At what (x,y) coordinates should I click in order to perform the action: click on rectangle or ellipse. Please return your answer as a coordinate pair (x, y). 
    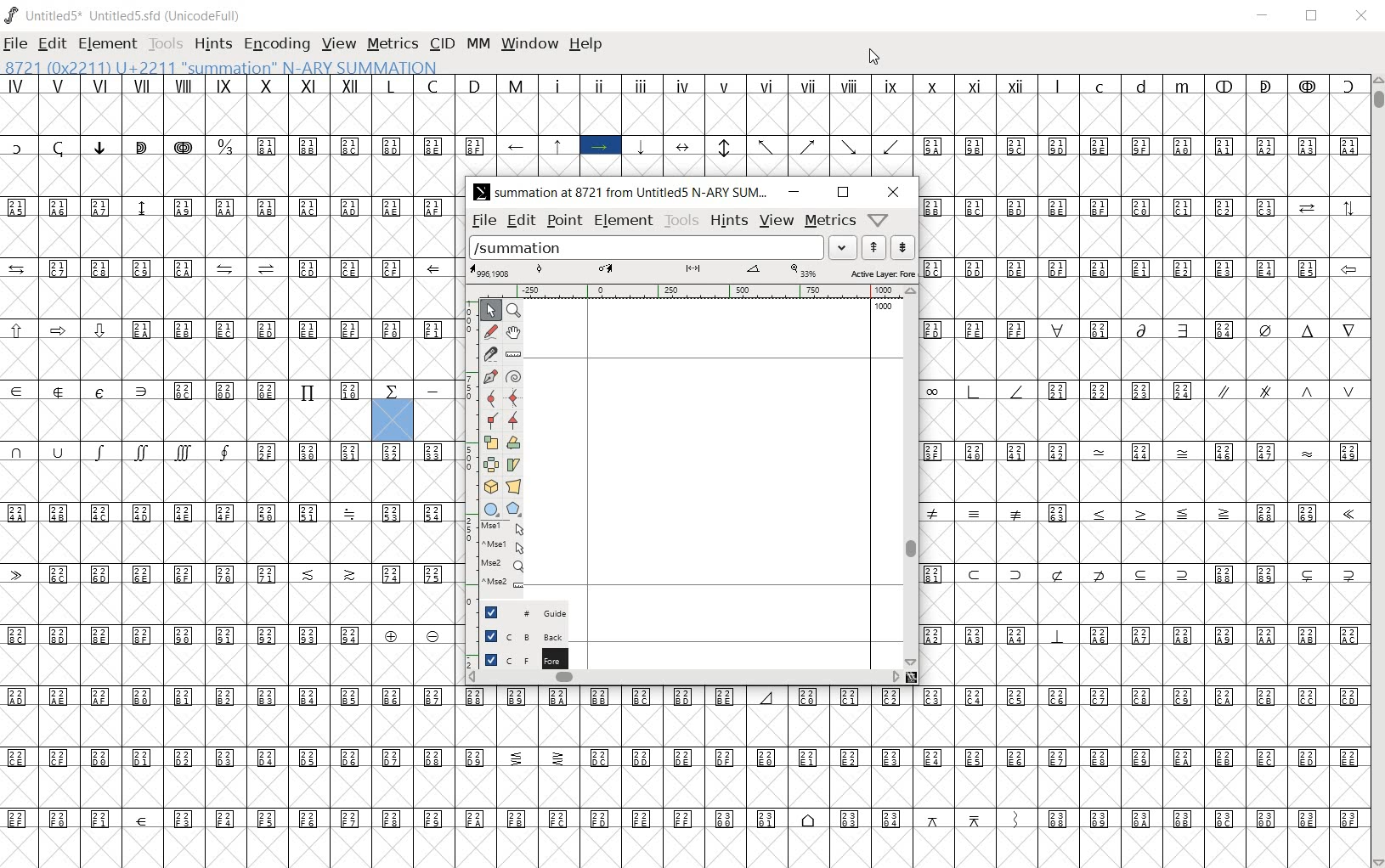
    Looking at the image, I should click on (490, 509).